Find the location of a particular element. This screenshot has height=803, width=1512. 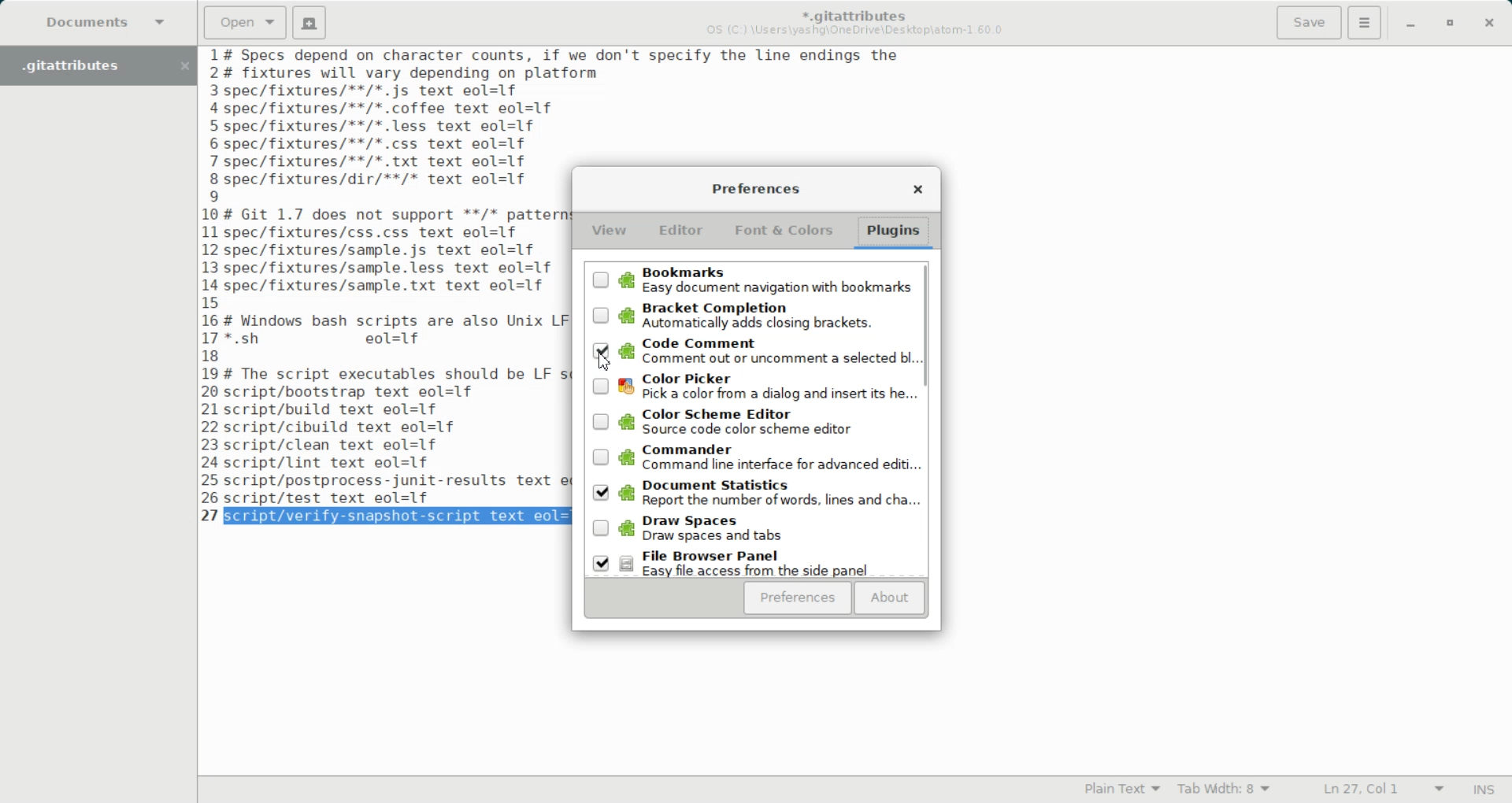

Document Statistics: Report the number of words, lines and cha.. is located at coordinates (751, 494).